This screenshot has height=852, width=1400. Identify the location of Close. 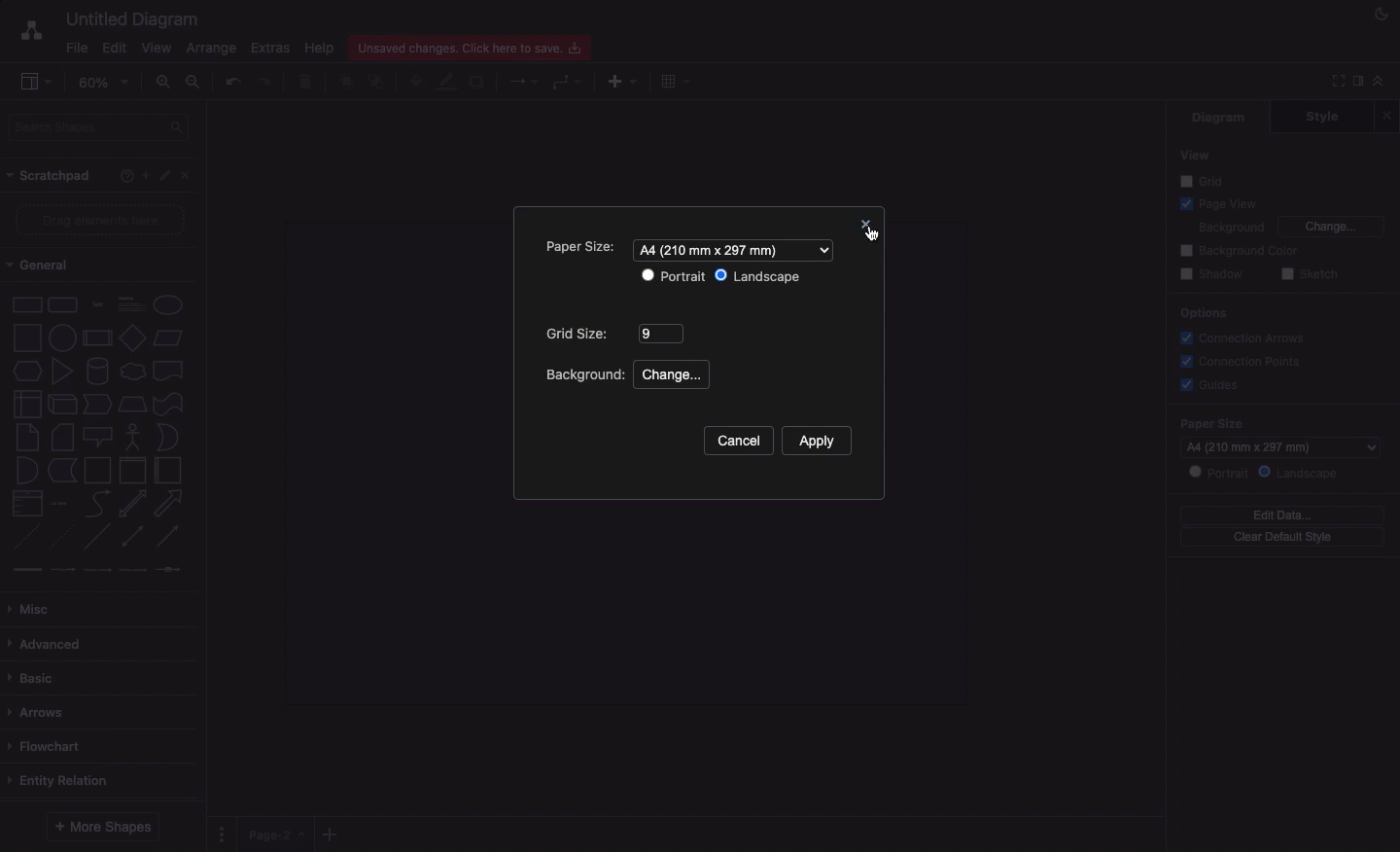
(863, 226).